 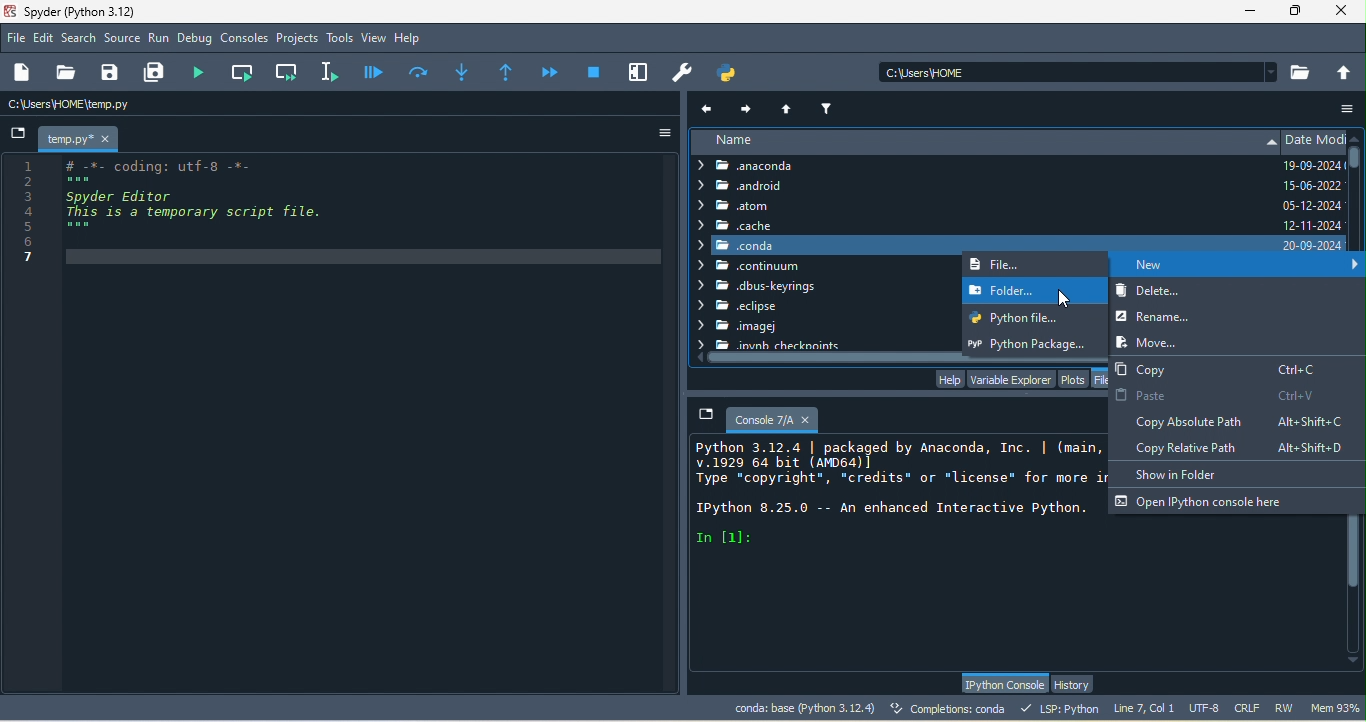 I want to click on browse, so click(x=1302, y=72).